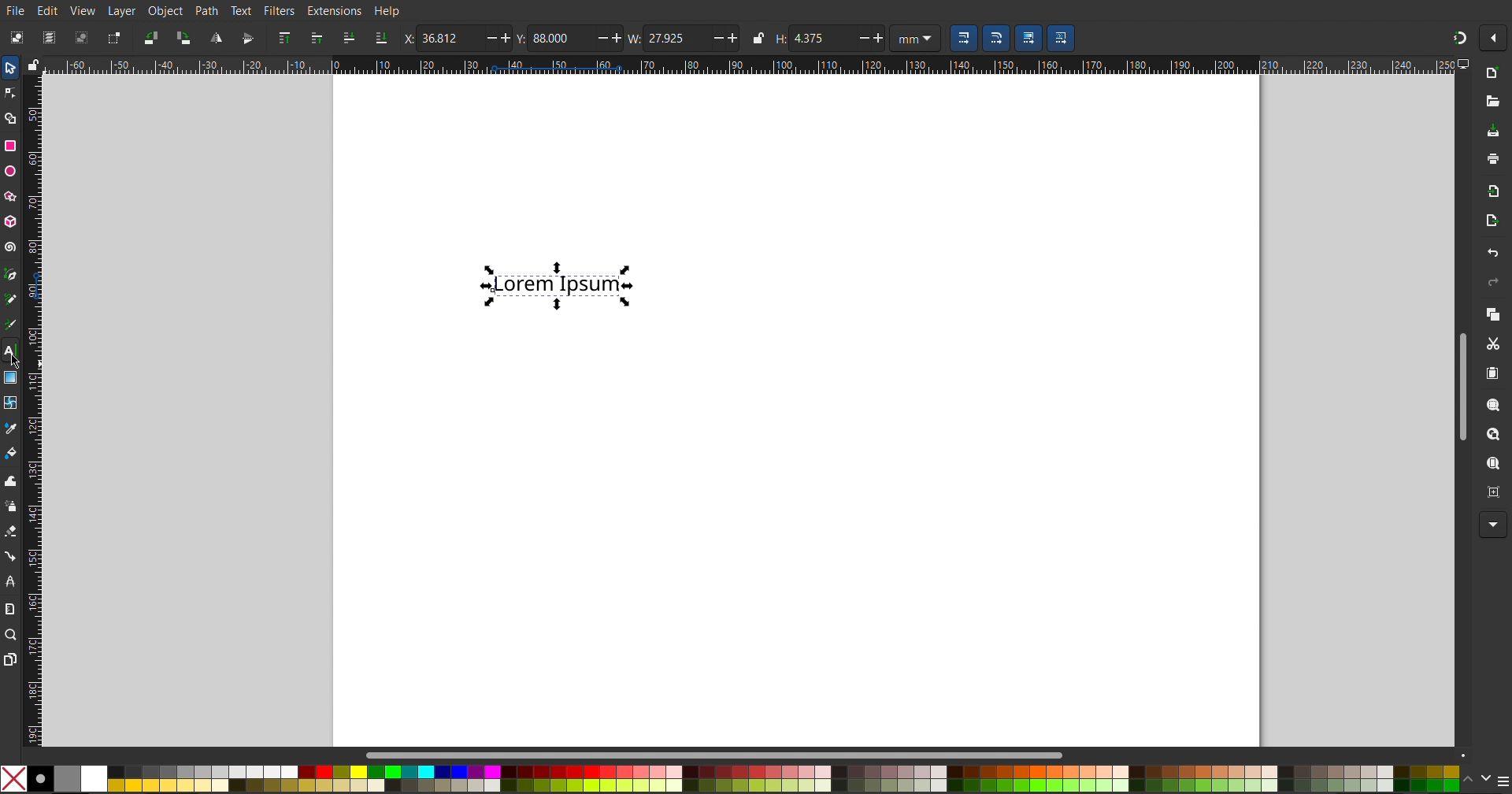  Describe the element at coordinates (10, 70) in the screenshot. I see `Select` at that location.